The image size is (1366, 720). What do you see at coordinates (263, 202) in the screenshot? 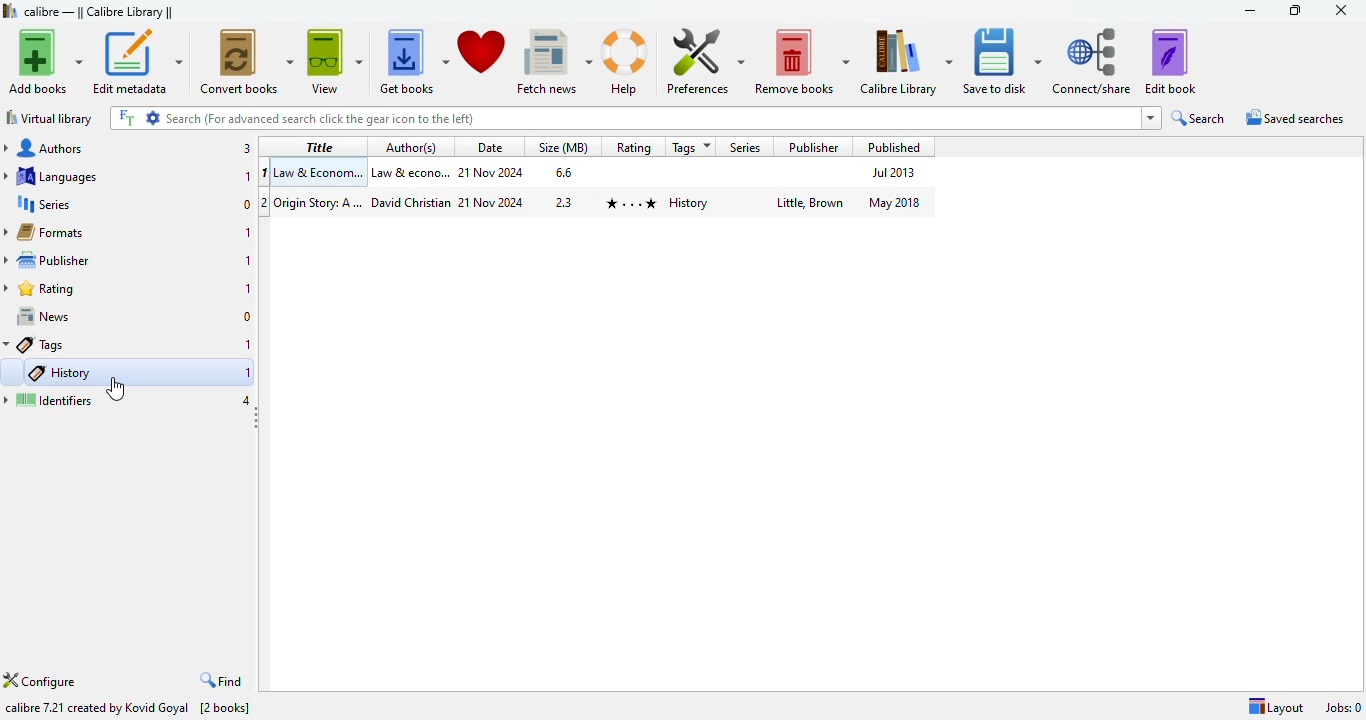
I see `2` at bounding box center [263, 202].